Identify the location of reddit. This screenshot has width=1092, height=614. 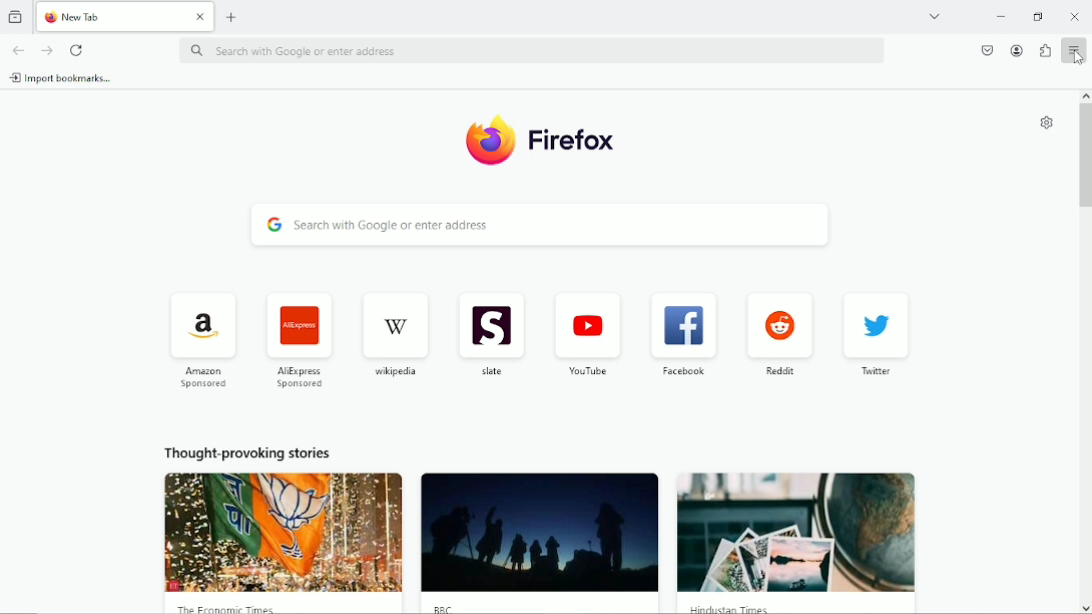
(779, 320).